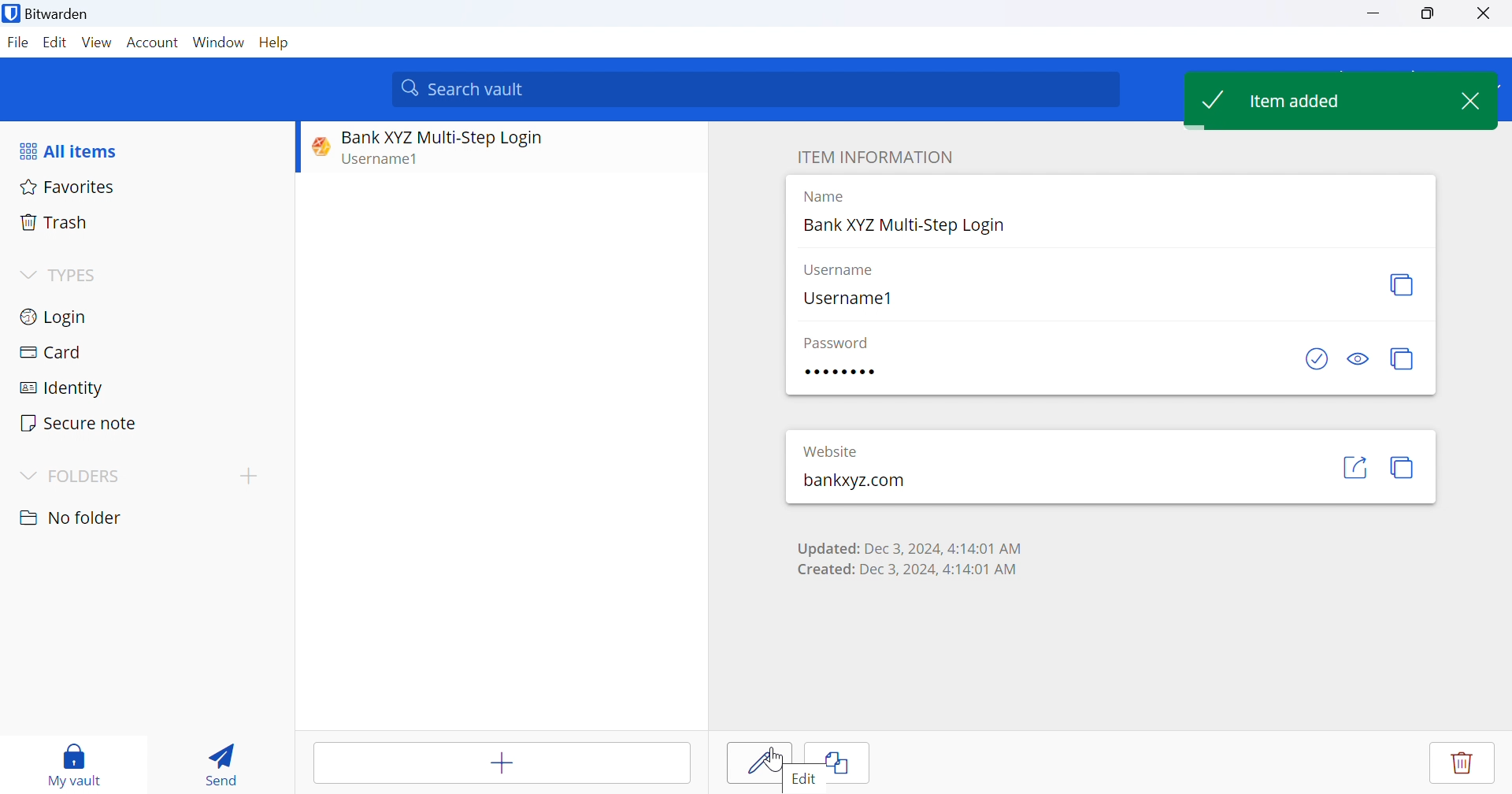 Image resolution: width=1512 pixels, height=794 pixels. Describe the element at coordinates (908, 228) in the screenshot. I see `Bank XYZ Multi-Step Login` at that location.